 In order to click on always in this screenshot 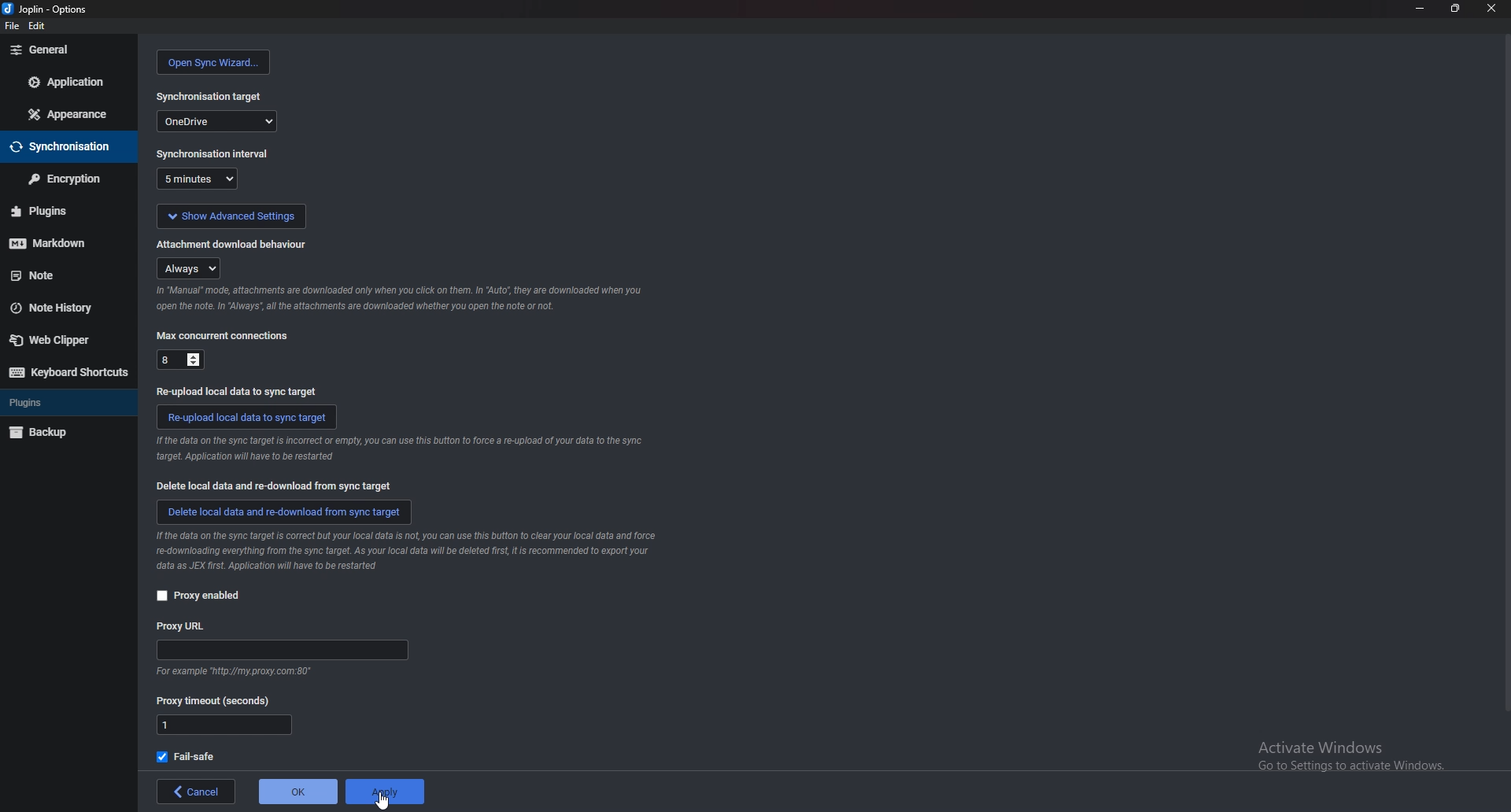, I will do `click(187, 268)`.